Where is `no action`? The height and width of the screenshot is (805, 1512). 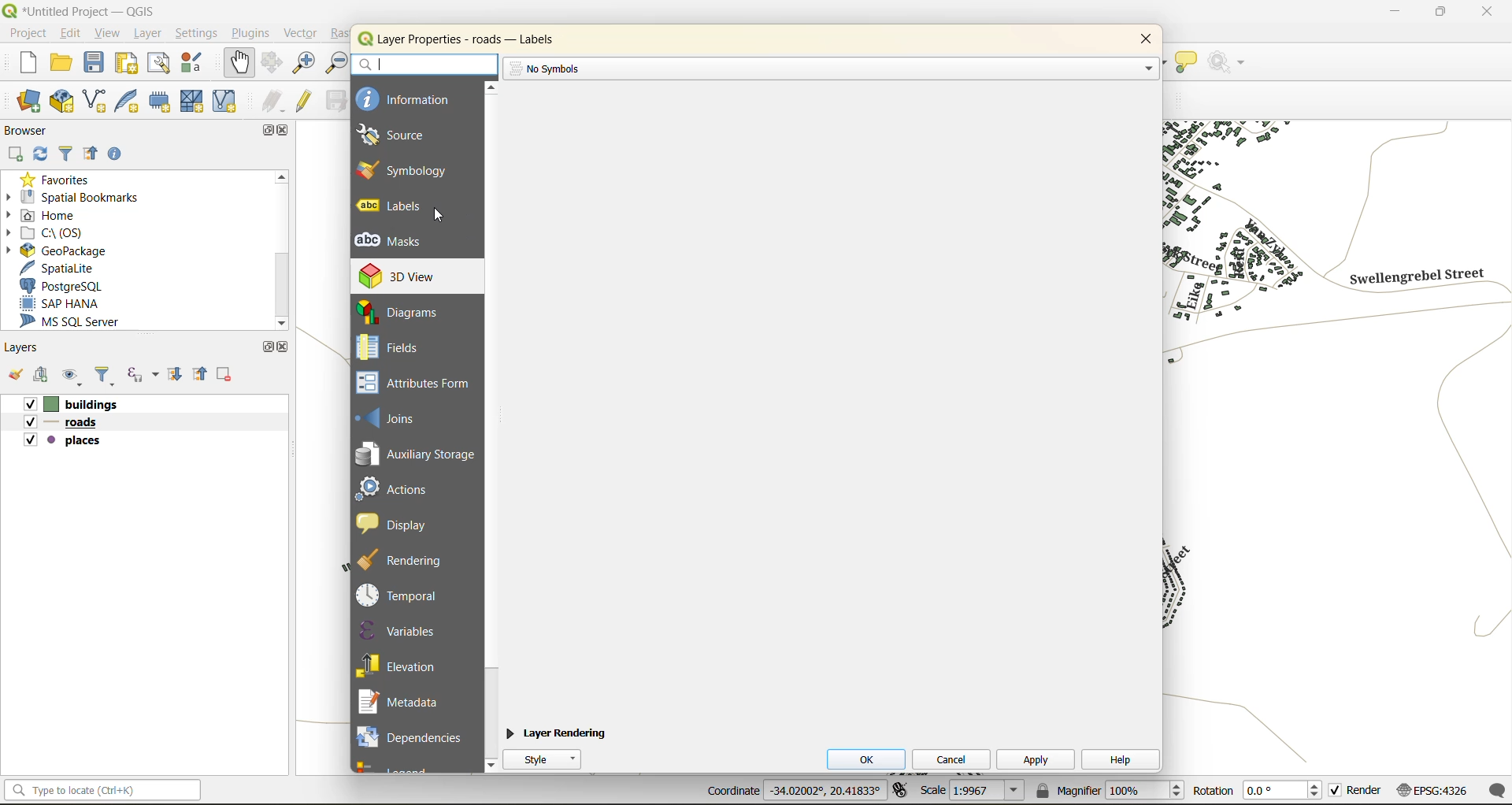 no action is located at coordinates (1232, 63).